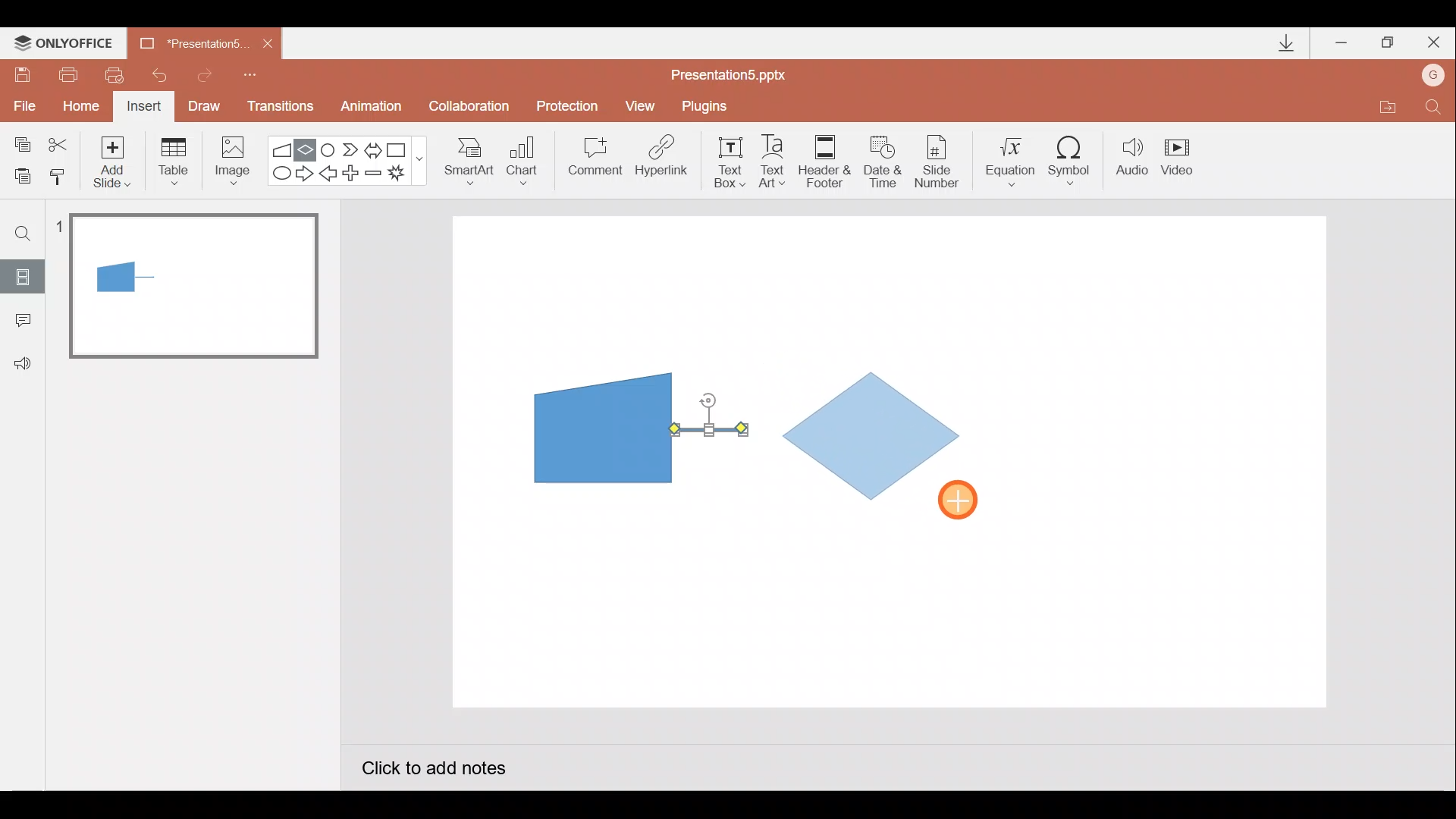  Describe the element at coordinates (709, 429) in the screenshot. I see `Arrow` at that location.